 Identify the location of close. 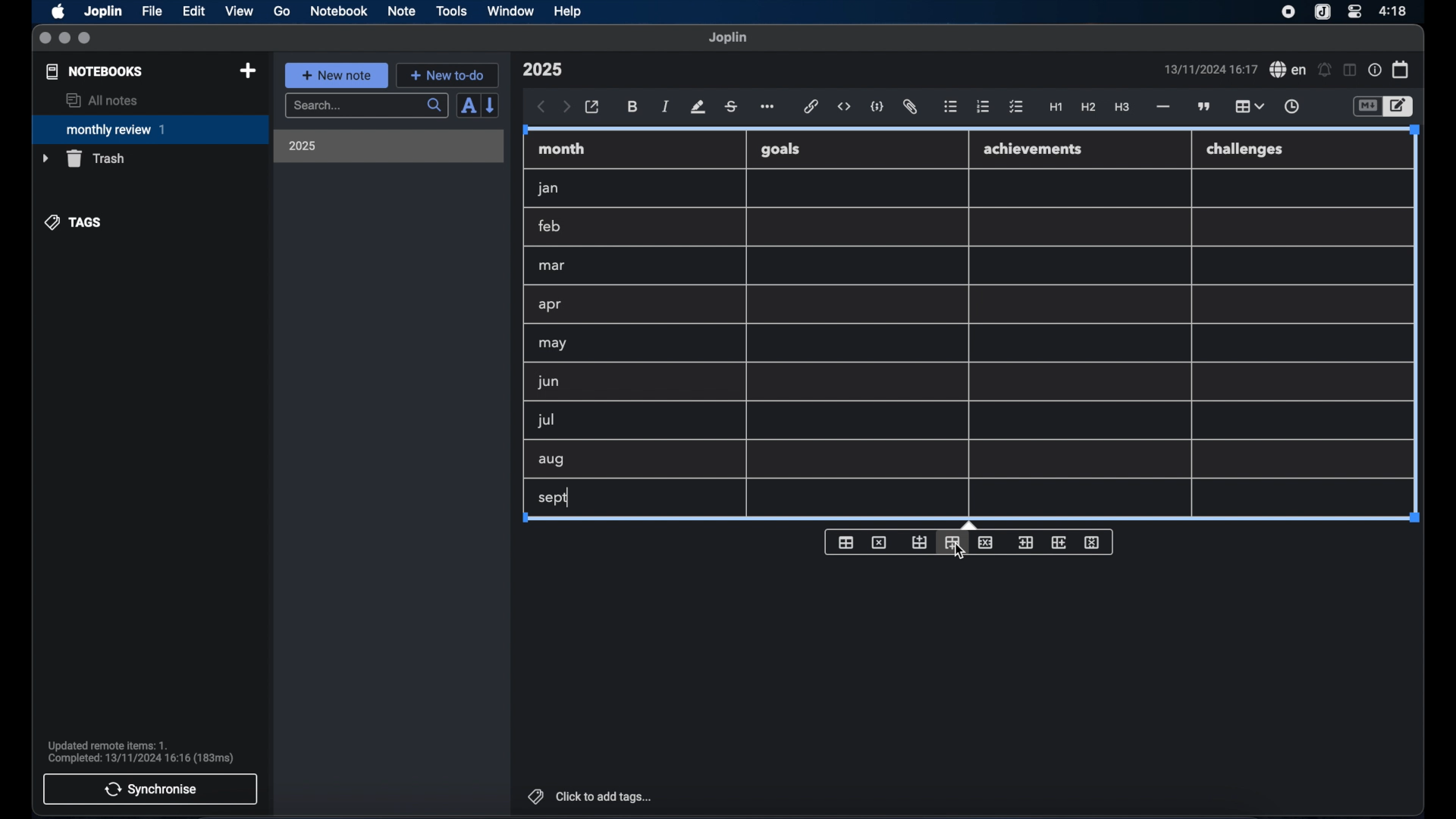
(45, 39).